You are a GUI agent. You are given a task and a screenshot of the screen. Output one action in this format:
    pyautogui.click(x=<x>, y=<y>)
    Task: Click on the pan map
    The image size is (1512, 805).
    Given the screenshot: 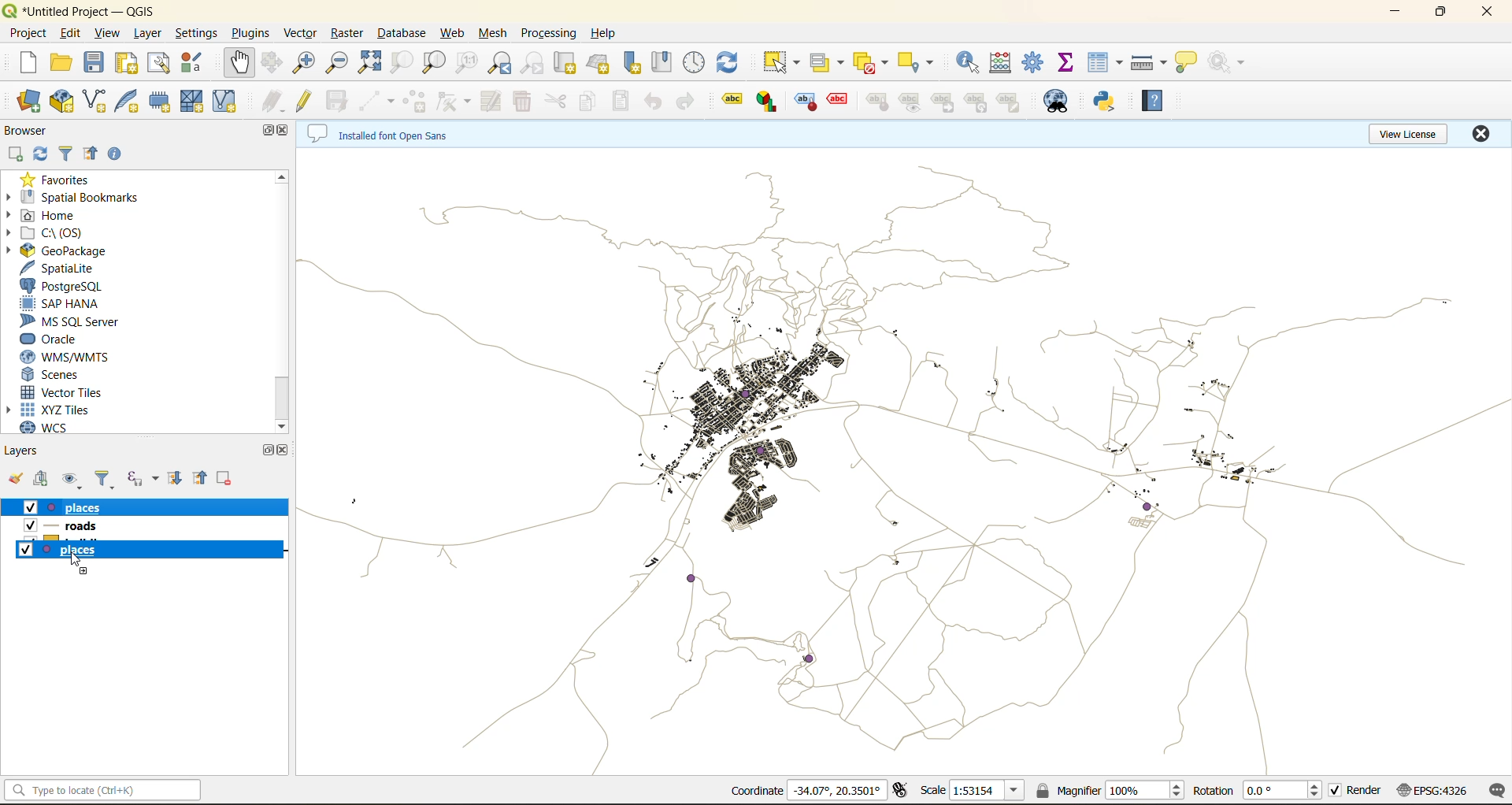 What is the action you would take?
    pyautogui.click(x=246, y=64)
    